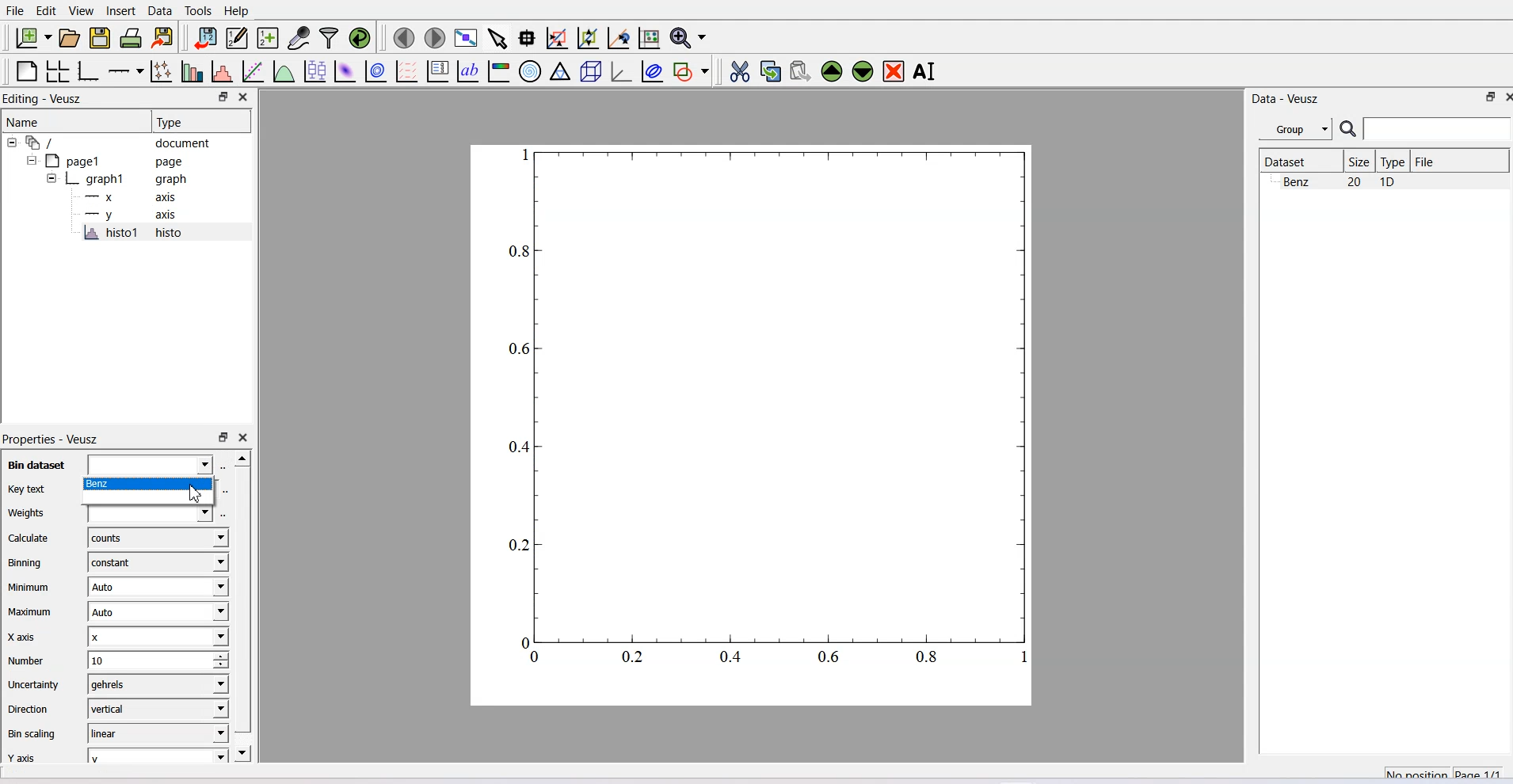  Describe the element at coordinates (268, 38) in the screenshot. I see `Create a new dataset` at that location.